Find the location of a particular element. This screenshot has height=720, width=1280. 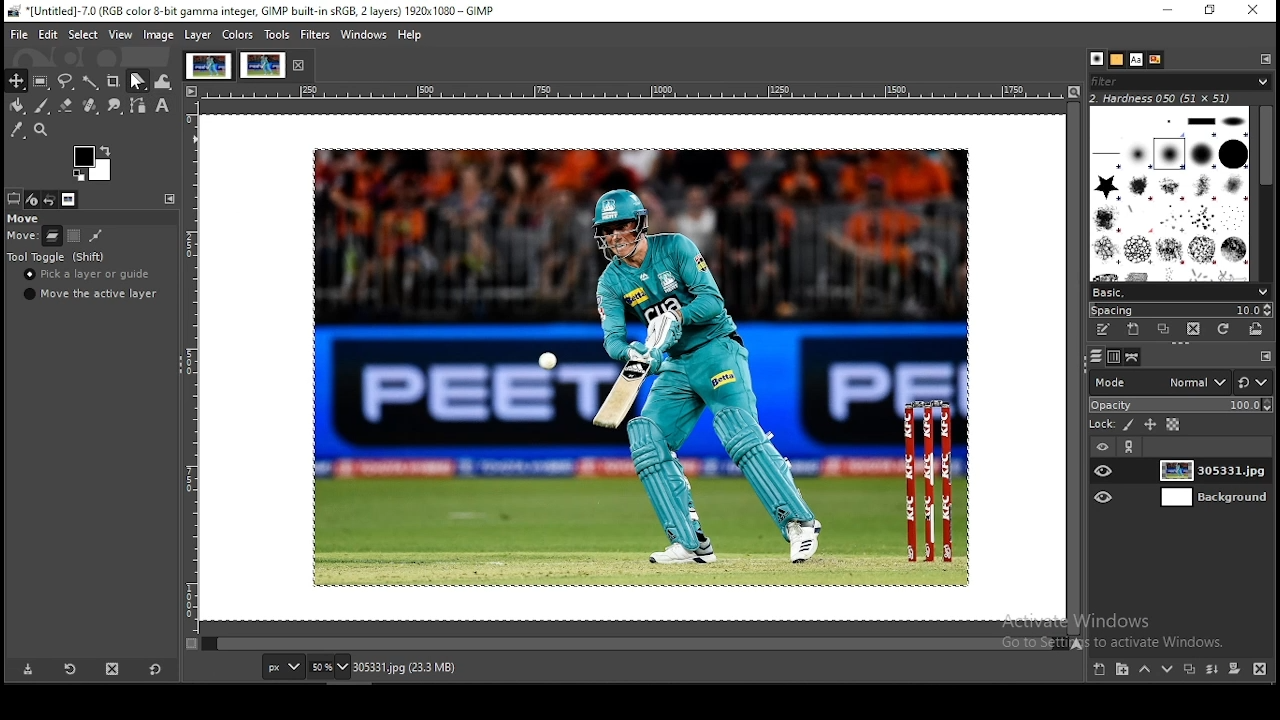

zoom level is located at coordinates (330, 667).